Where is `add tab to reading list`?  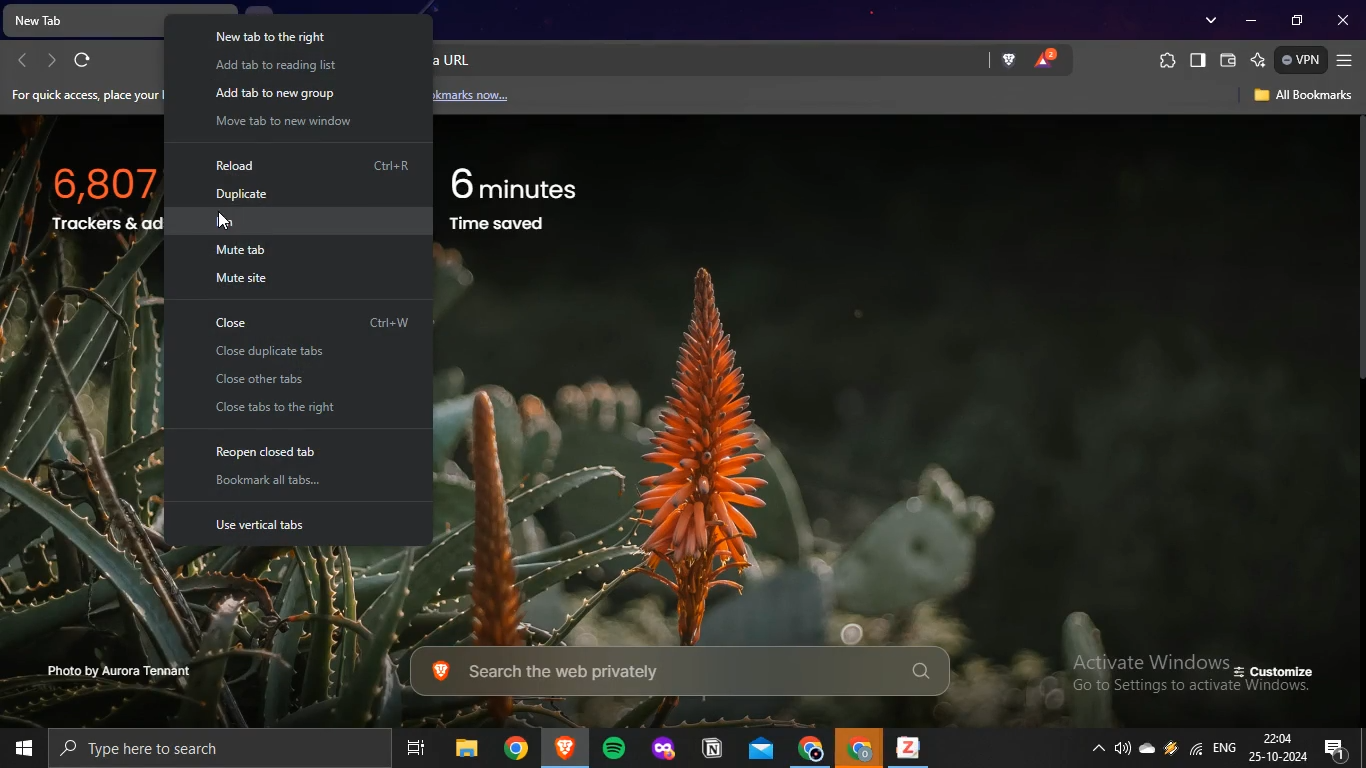 add tab to reading list is located at coordinates (276, 64).